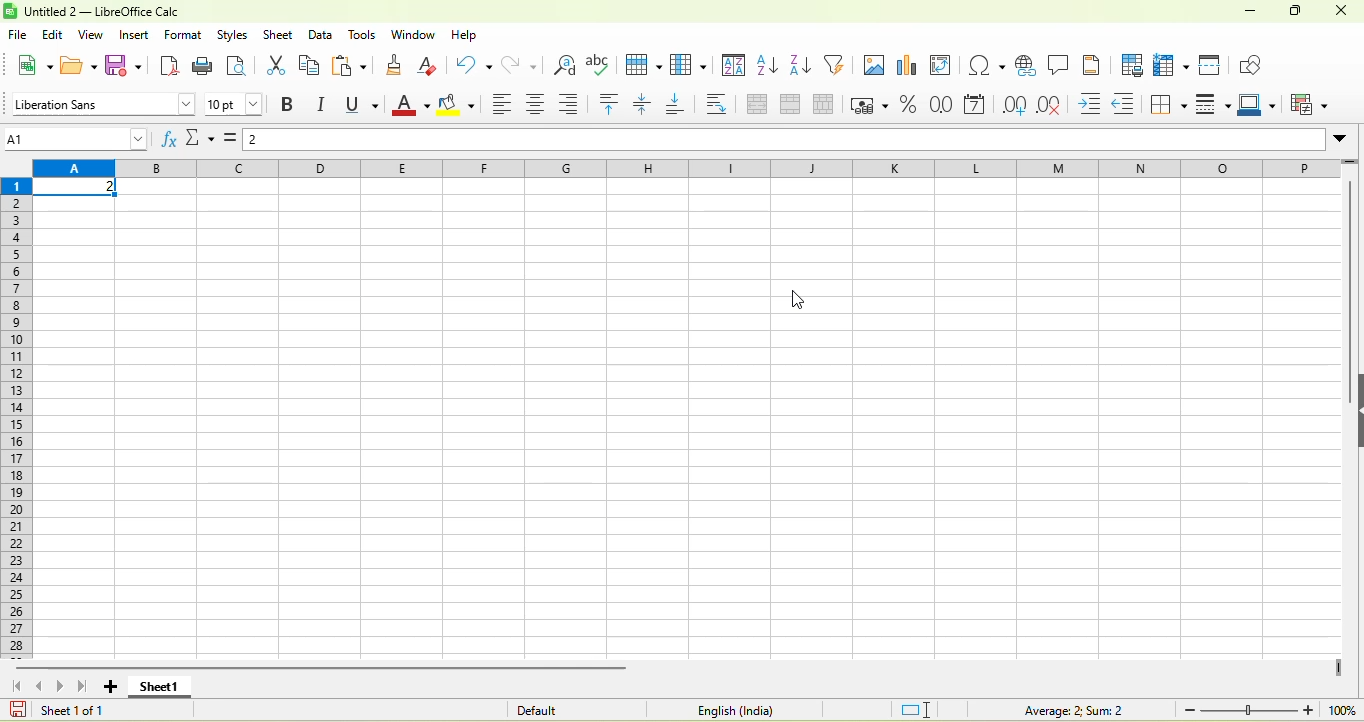  Describe the element at coordinates (648, 106) in the screenshot. I see `center vertically` at that location.